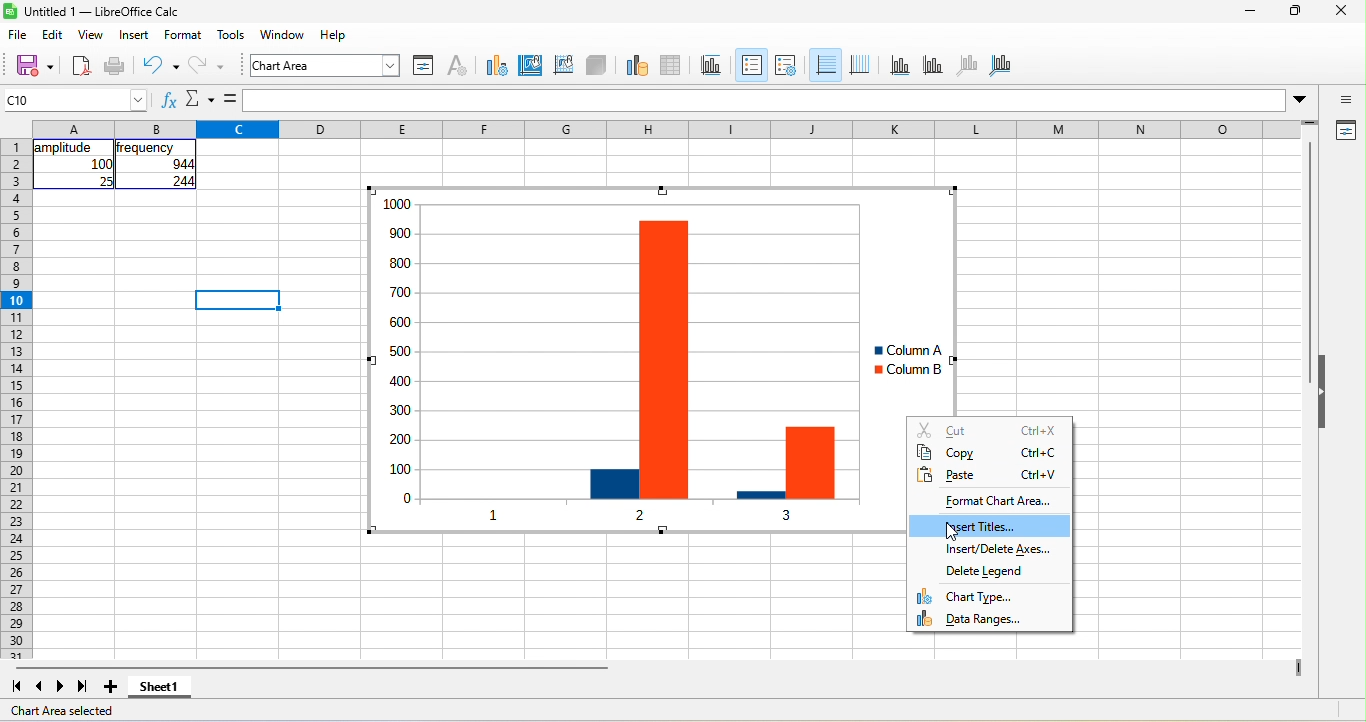  Describe the element at coordinates (765, 100) in the screenshot. I see `formula bar` at that location.